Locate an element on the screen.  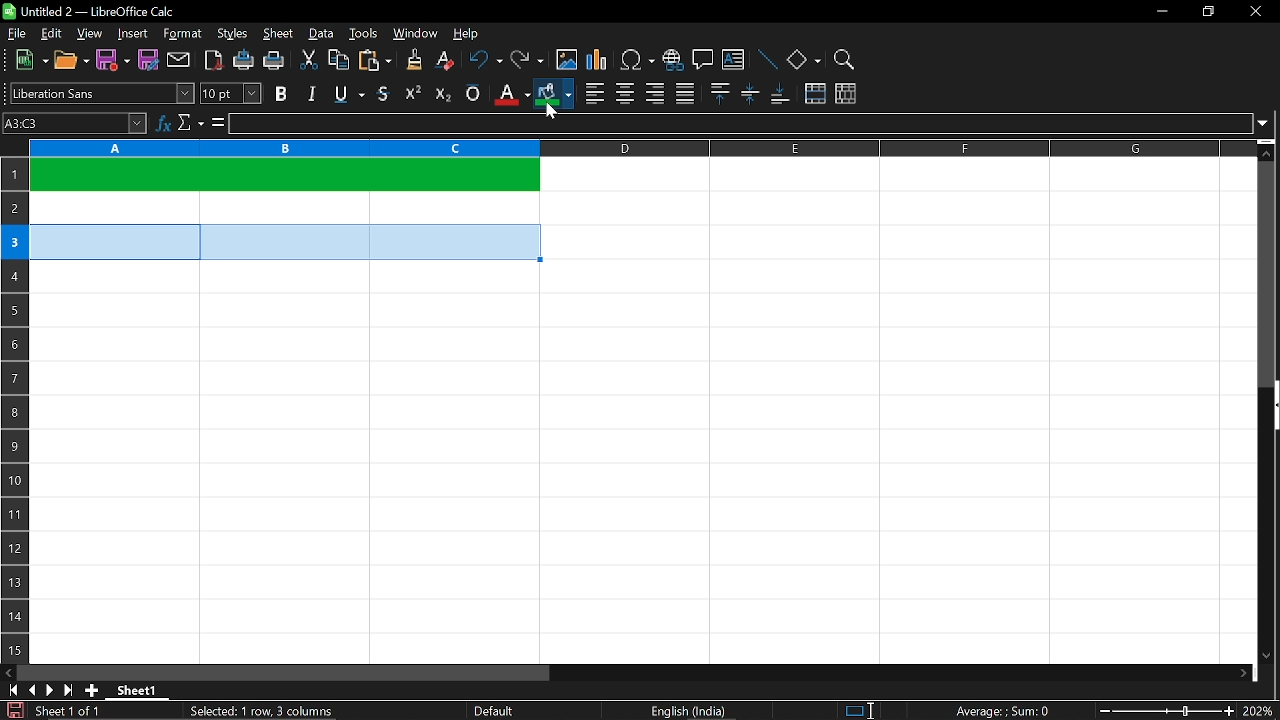
attach is located at coordinates (177, 59).